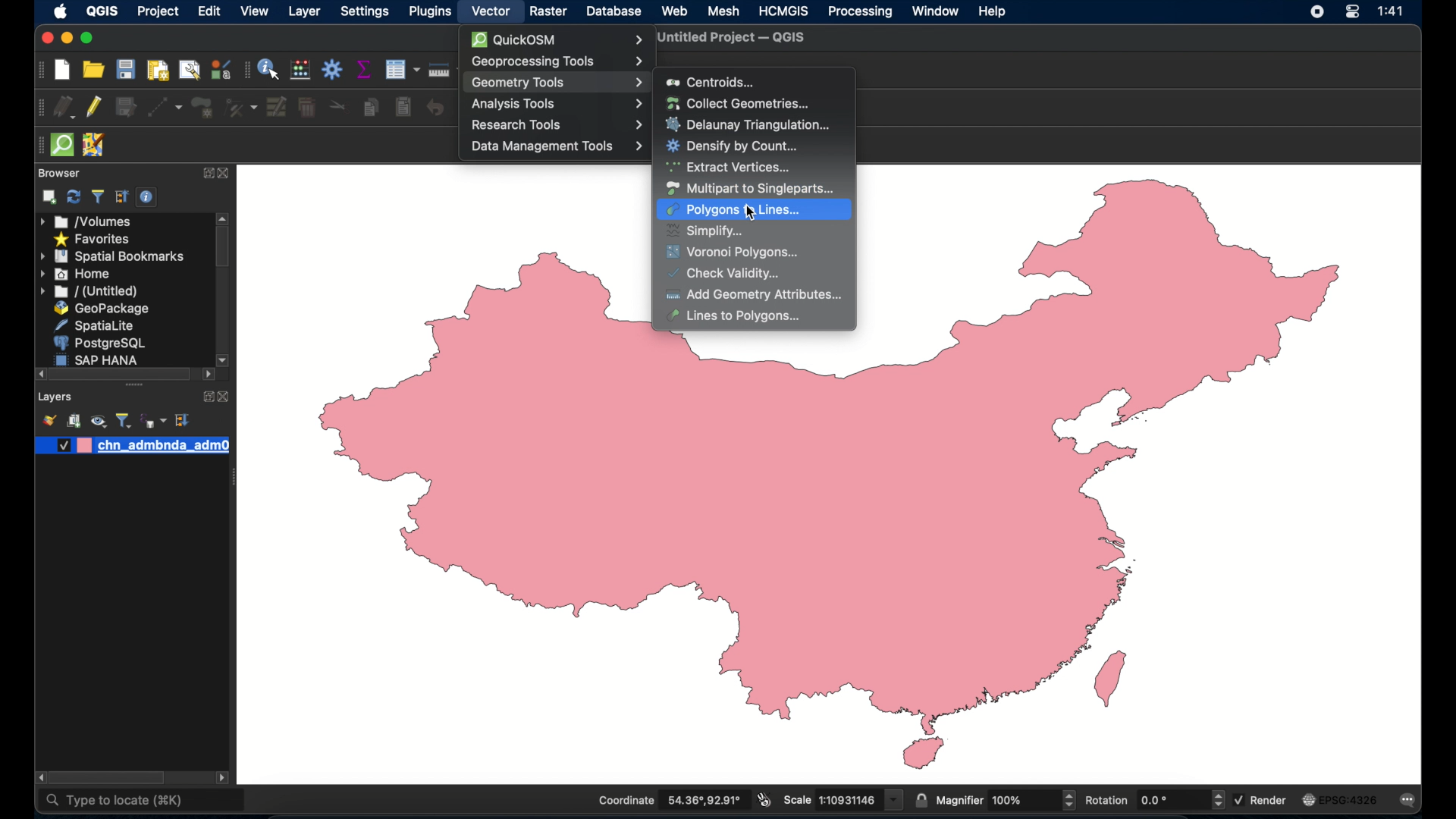  What do you see at coordinates (36, 374) in the screenshot?
I see `scroll left arrow` at bounding box center [36, 374].